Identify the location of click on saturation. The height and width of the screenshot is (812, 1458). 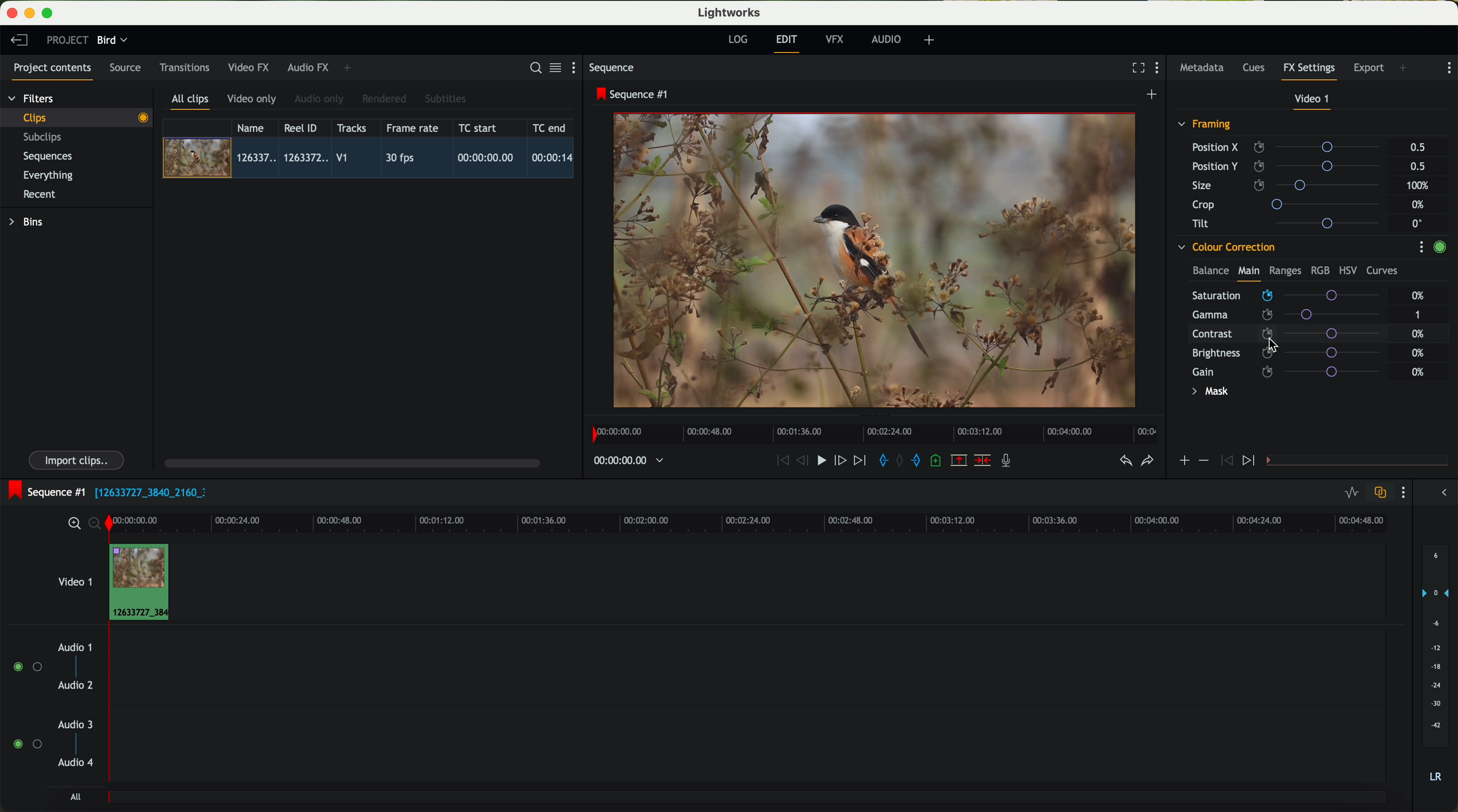
(1276, 292).